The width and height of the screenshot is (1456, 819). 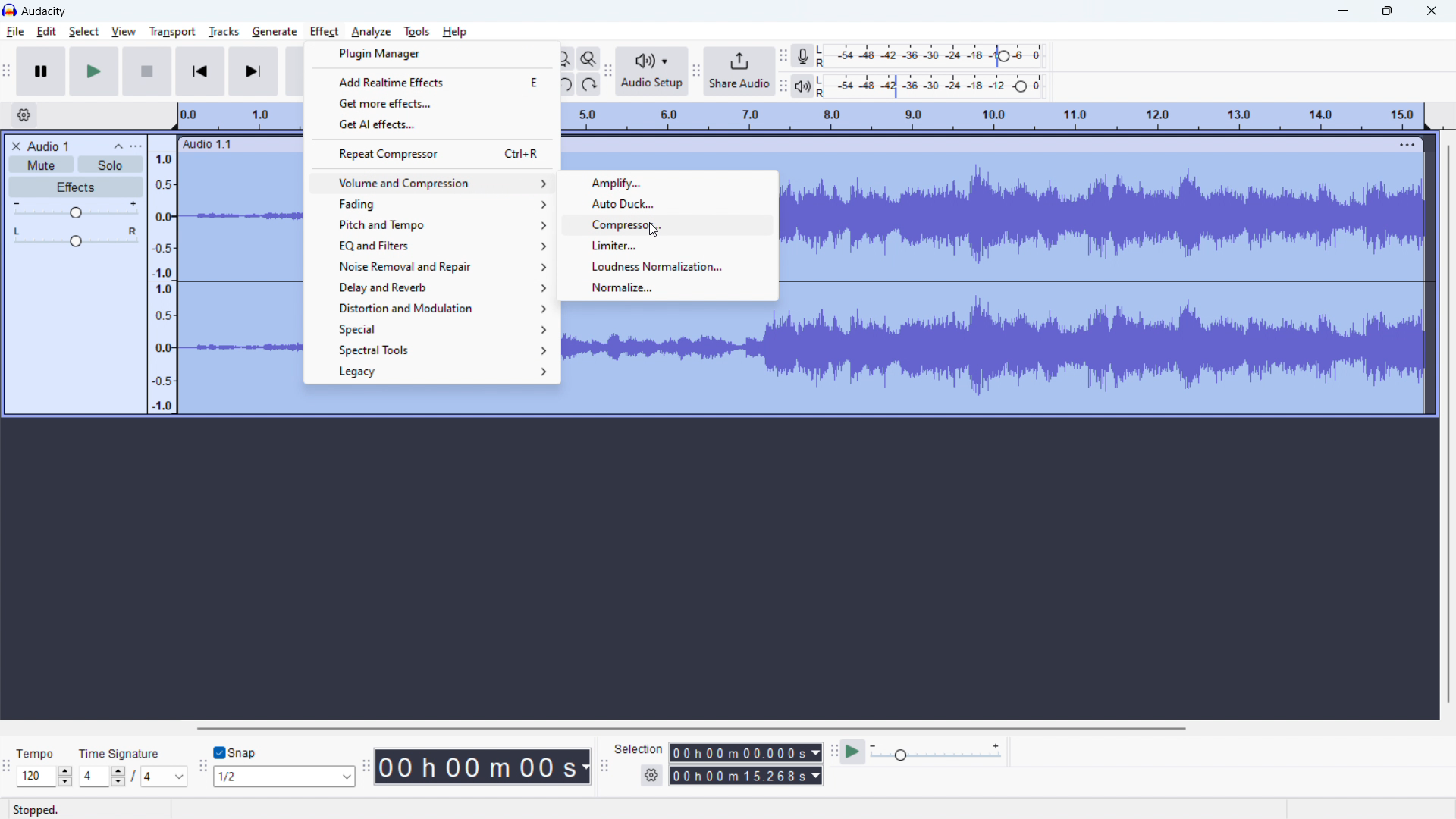 What do you see at coordinates (203, 766) in the screenshot?
I see `snapping toolbar` at bounding box center [203, 766].